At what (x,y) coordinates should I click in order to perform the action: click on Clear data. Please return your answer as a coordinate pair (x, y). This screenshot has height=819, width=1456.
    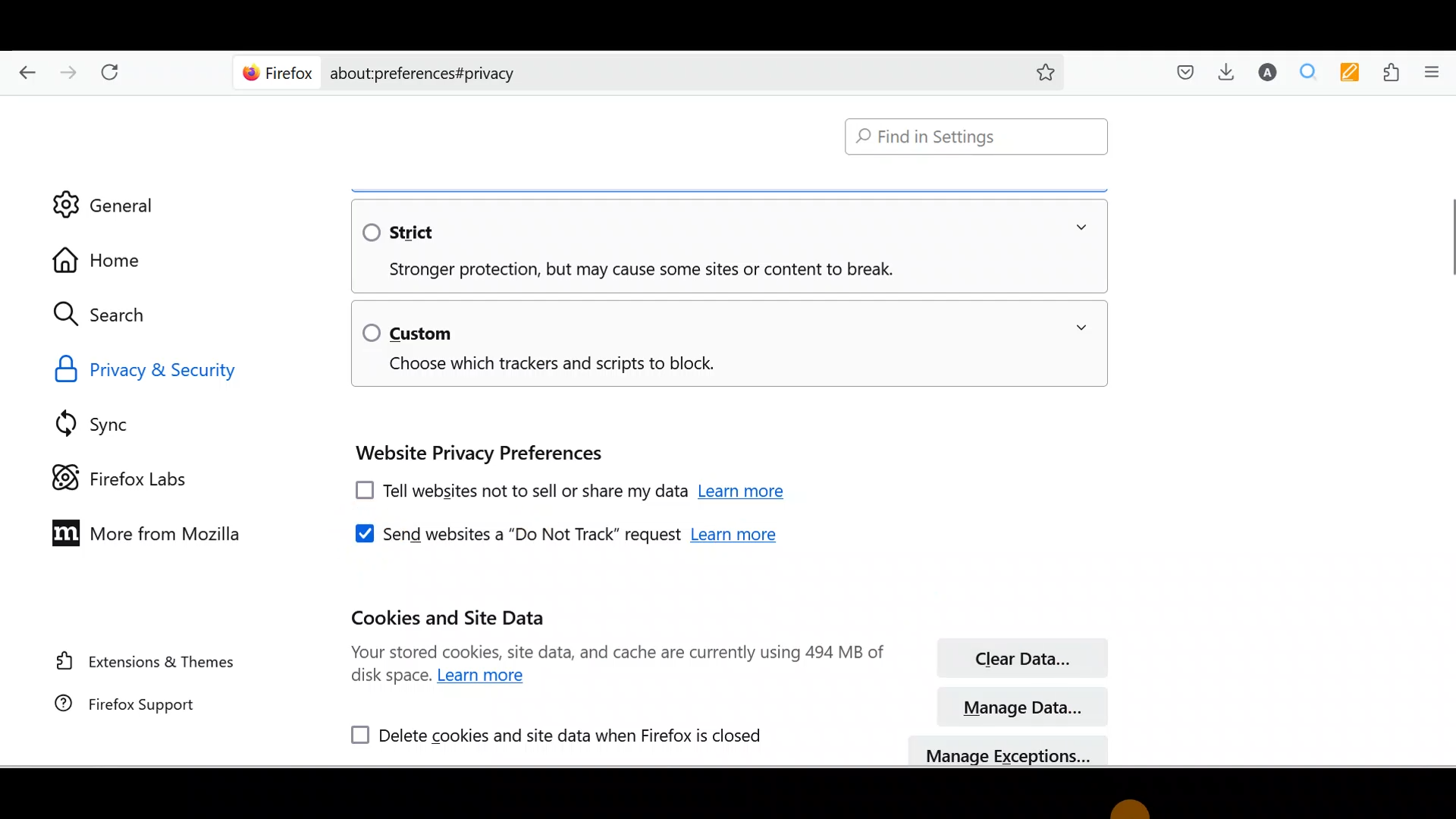
    Looking at the image, I should click on (1021, 658).